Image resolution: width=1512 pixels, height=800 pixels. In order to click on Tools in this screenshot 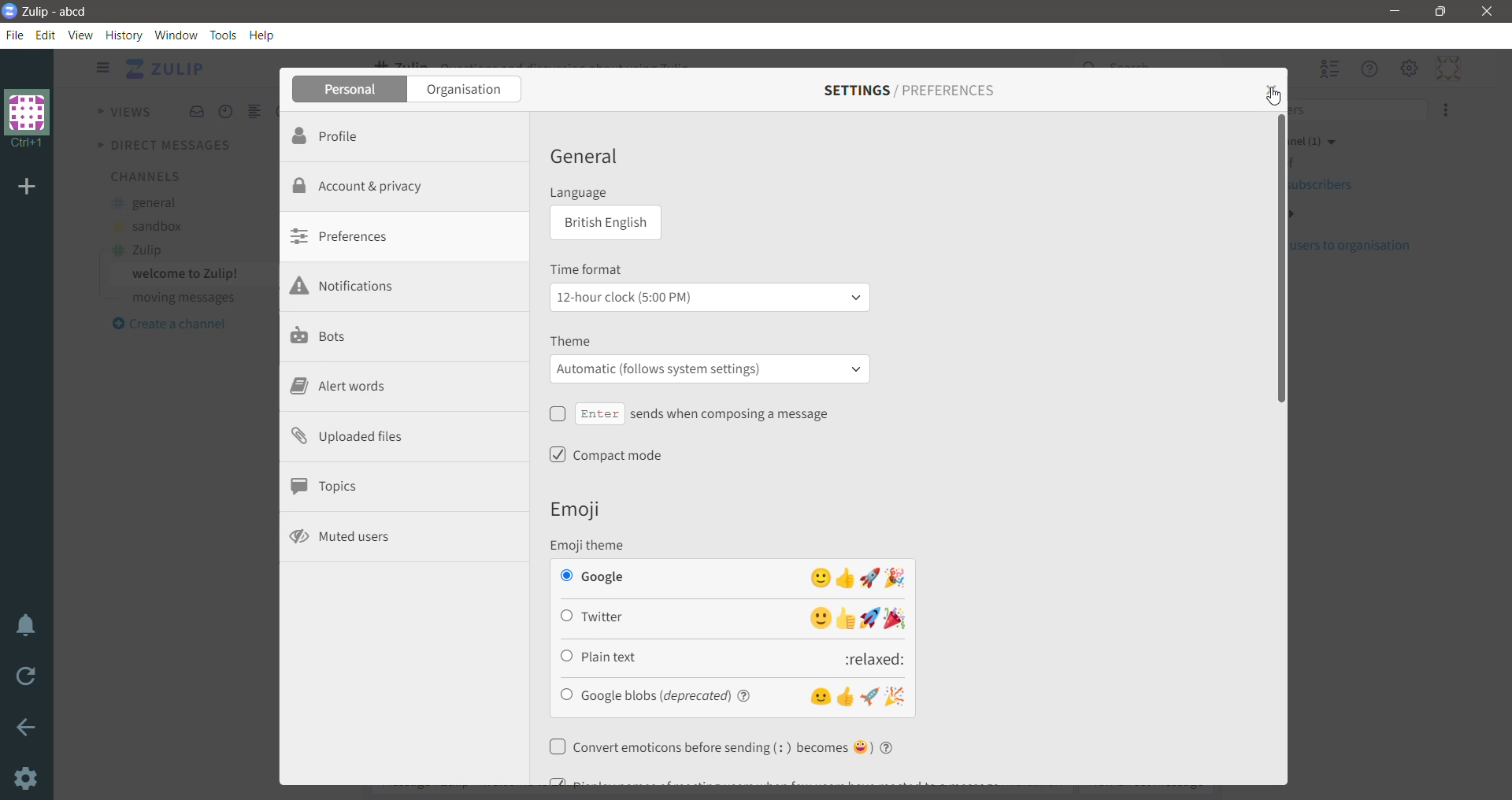, I will do `click(223, 35)`.